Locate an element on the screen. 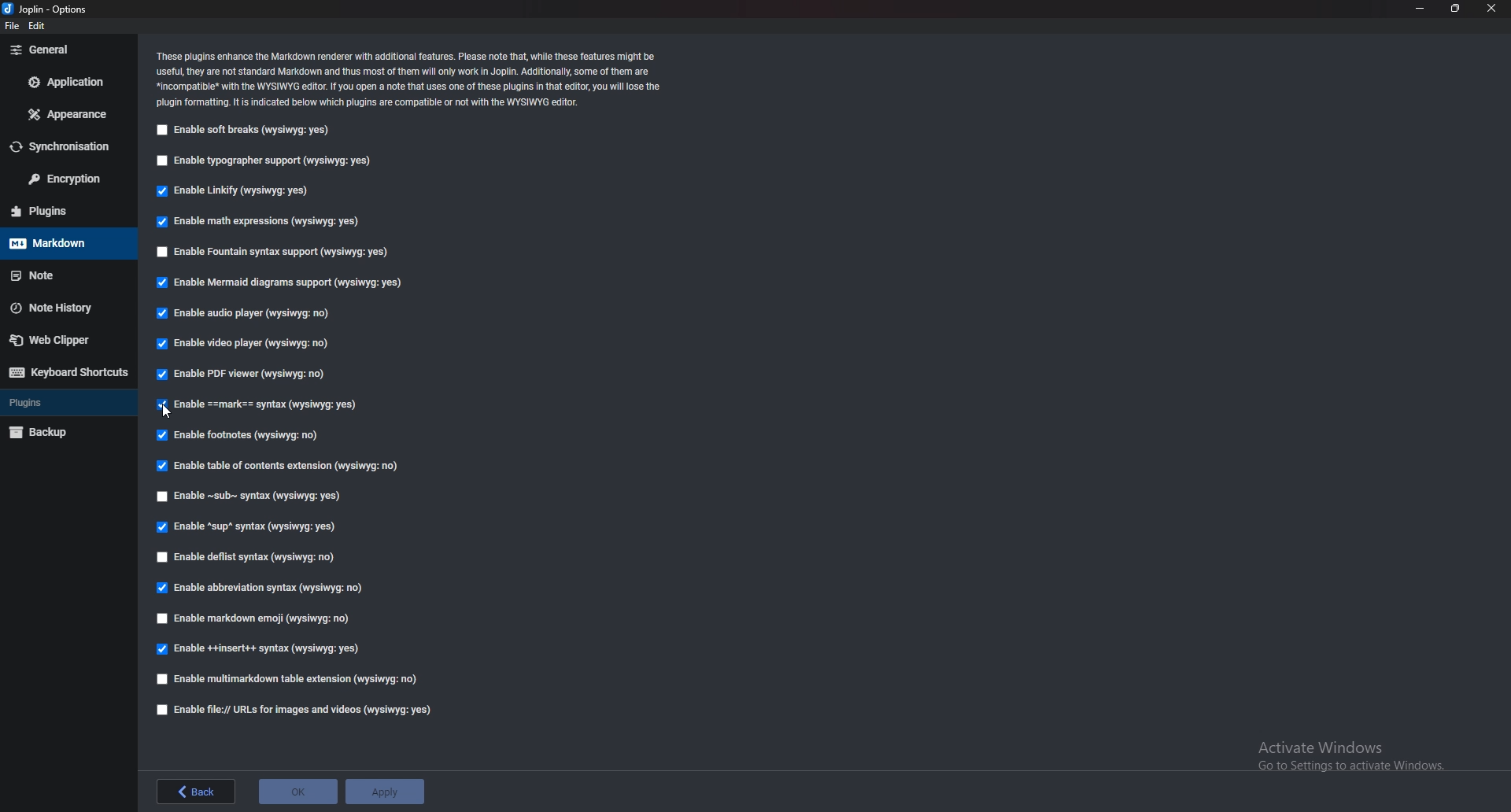  back is located at coordinates (199, 791).